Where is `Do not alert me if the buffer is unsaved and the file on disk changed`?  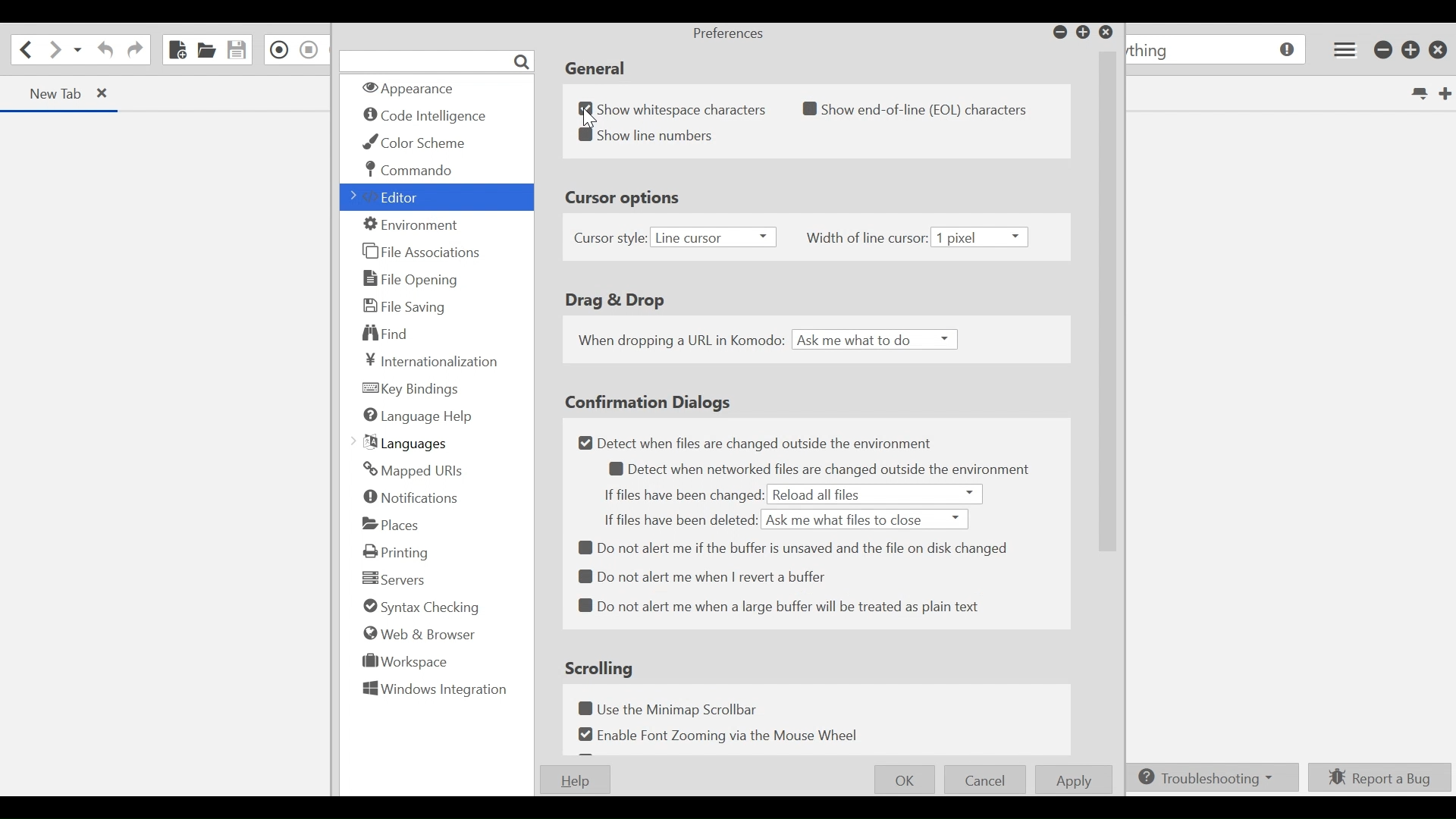 Do not alert me if the buffer is unsaved and the file on disk changed is located at coordinates (798, 548).